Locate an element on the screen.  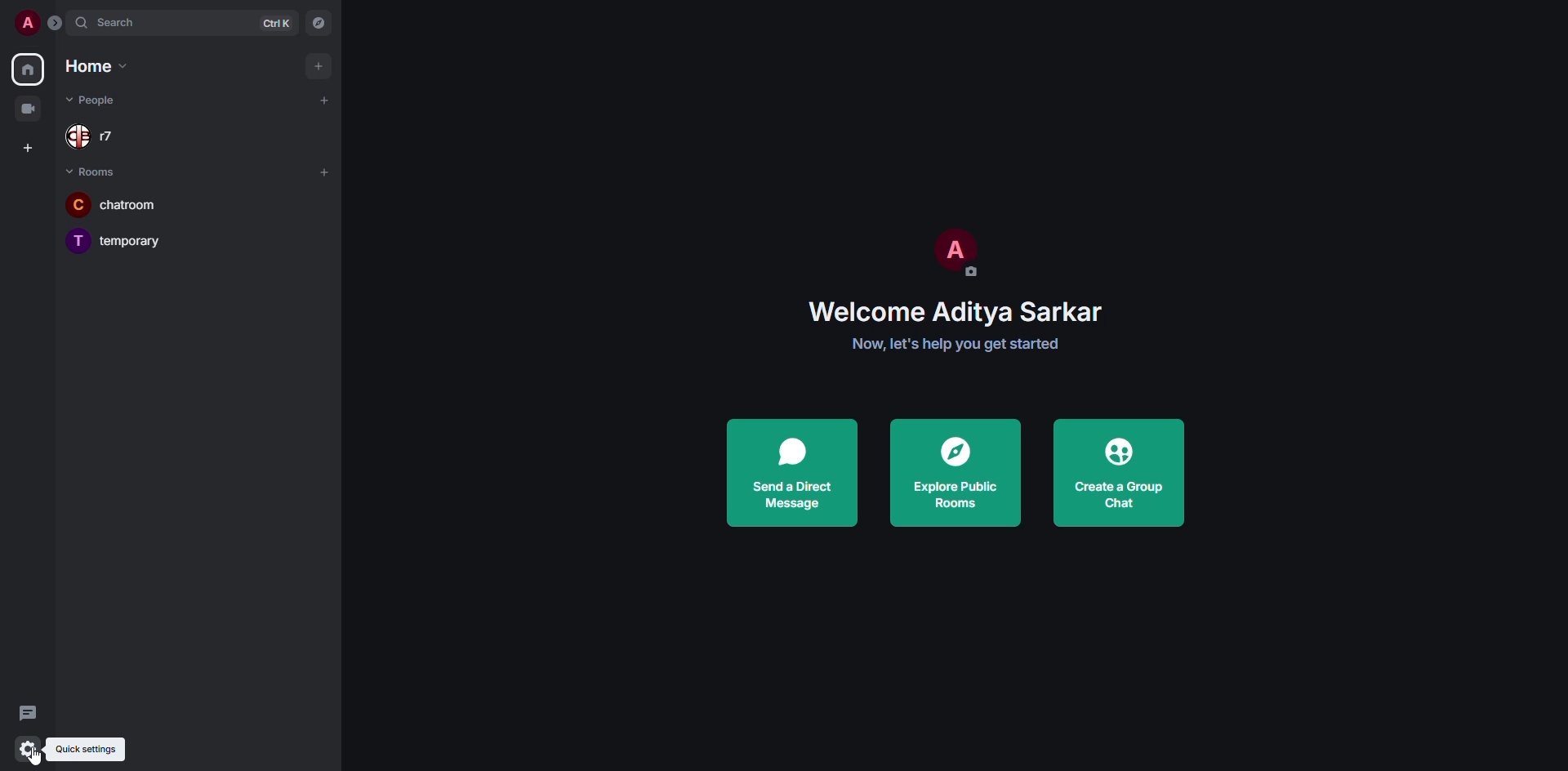
quick settings is located at coordinates (25, 748).